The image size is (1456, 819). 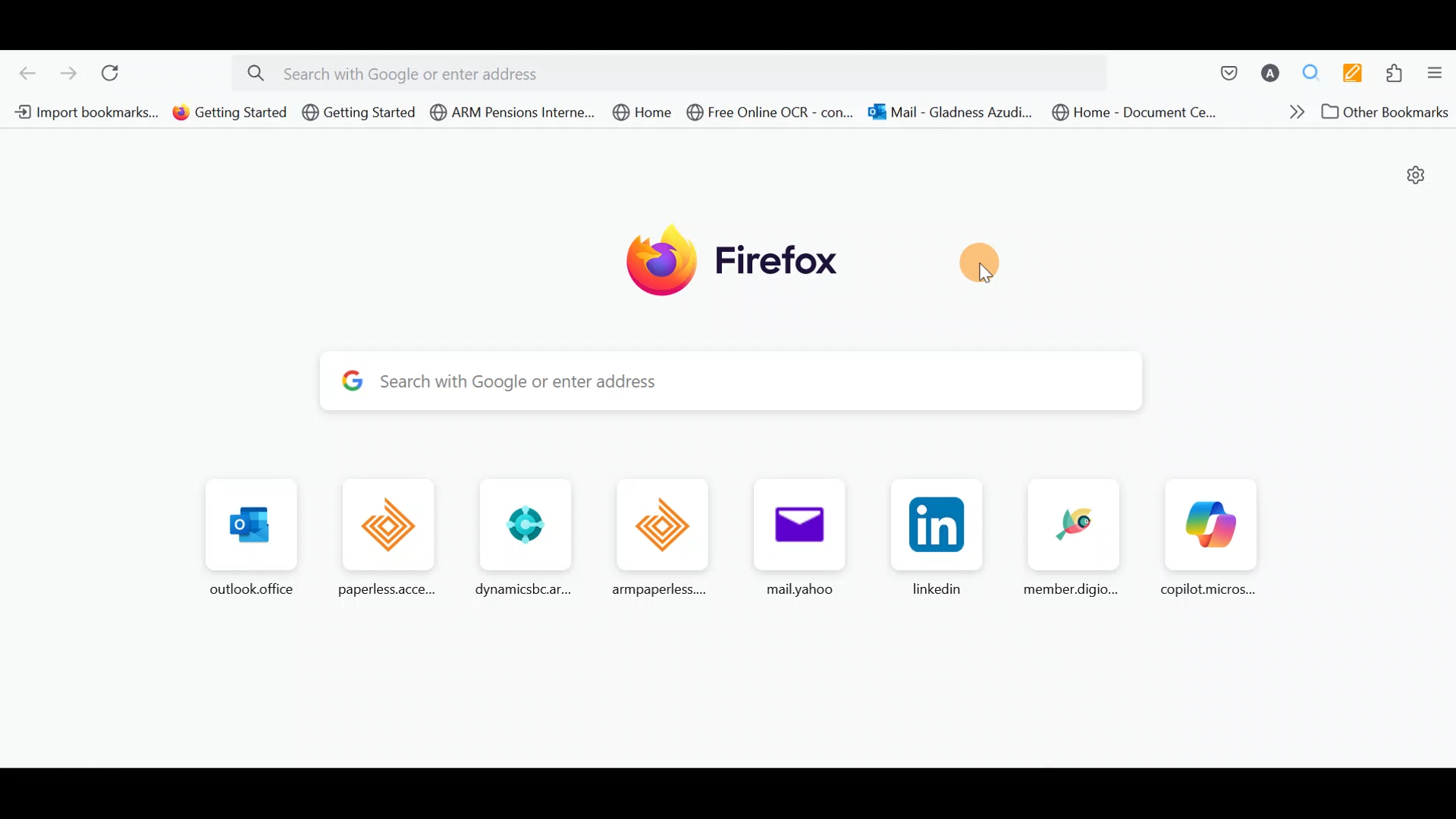 What do you see at coordinates (1272, 67) in the screenshot?
I see `Account` at bounding box center [1272, 67].